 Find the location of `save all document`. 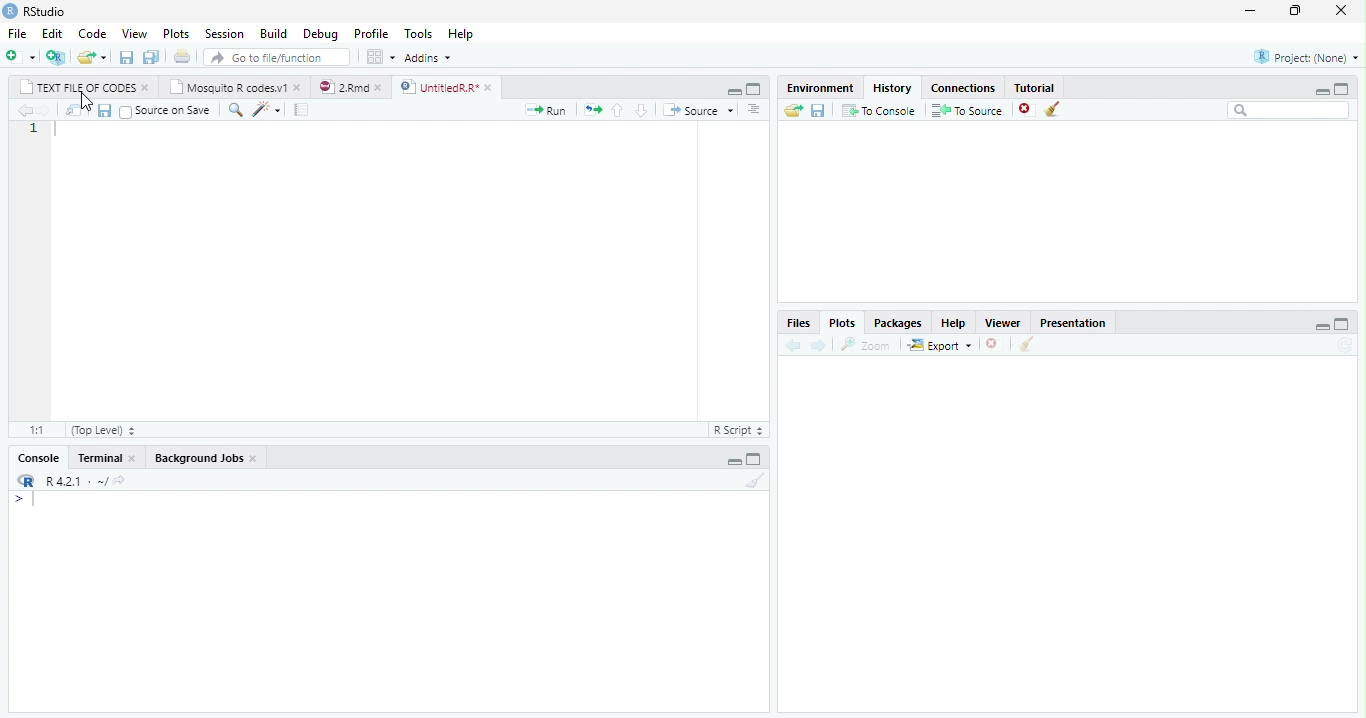

save all document is located at coordinates (153, 56).